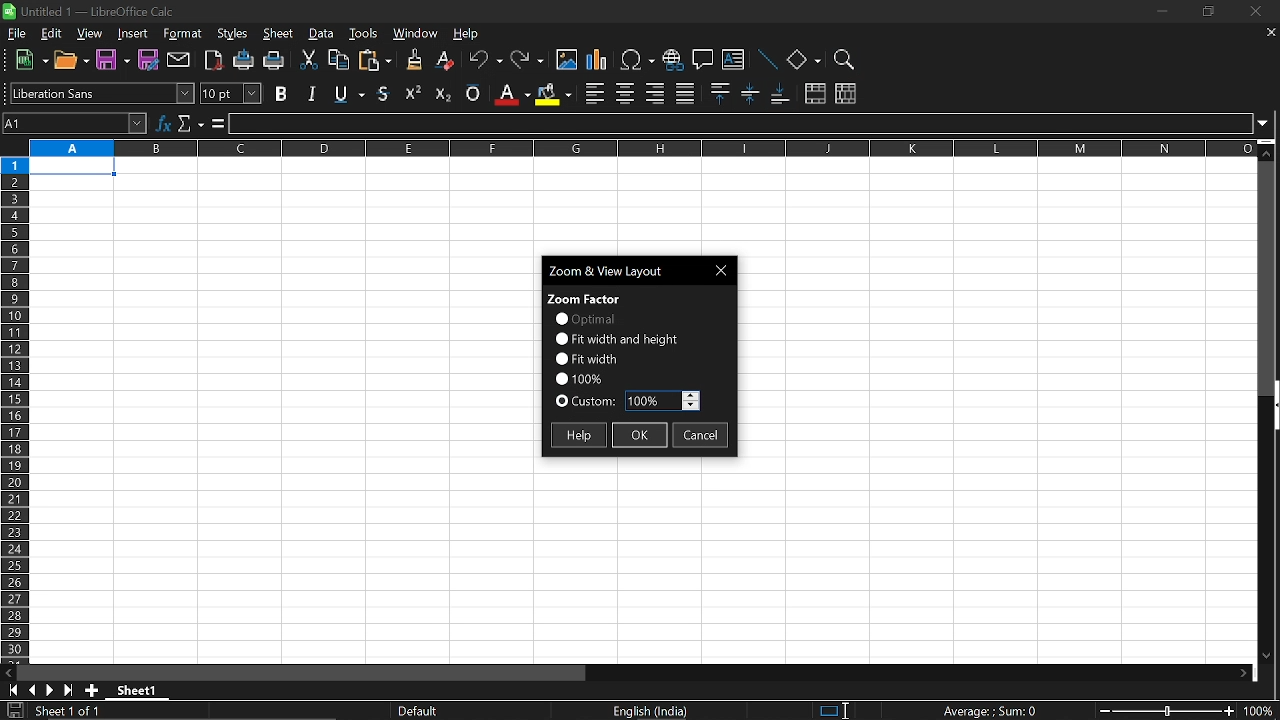 This screenshot has height=720, width=1280. I want to click on optional, so click(584, 319).